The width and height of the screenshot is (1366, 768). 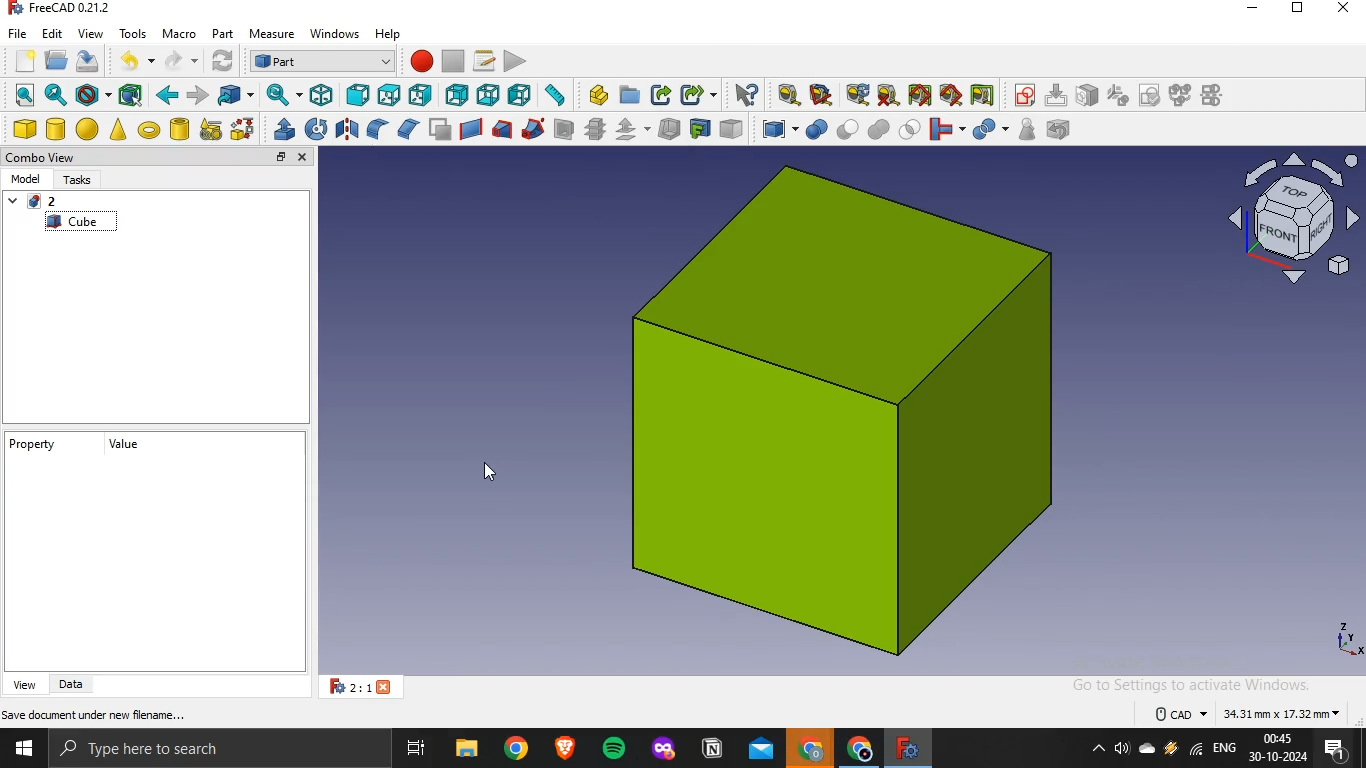 I want to click on save document , so click(x=96, y=716).